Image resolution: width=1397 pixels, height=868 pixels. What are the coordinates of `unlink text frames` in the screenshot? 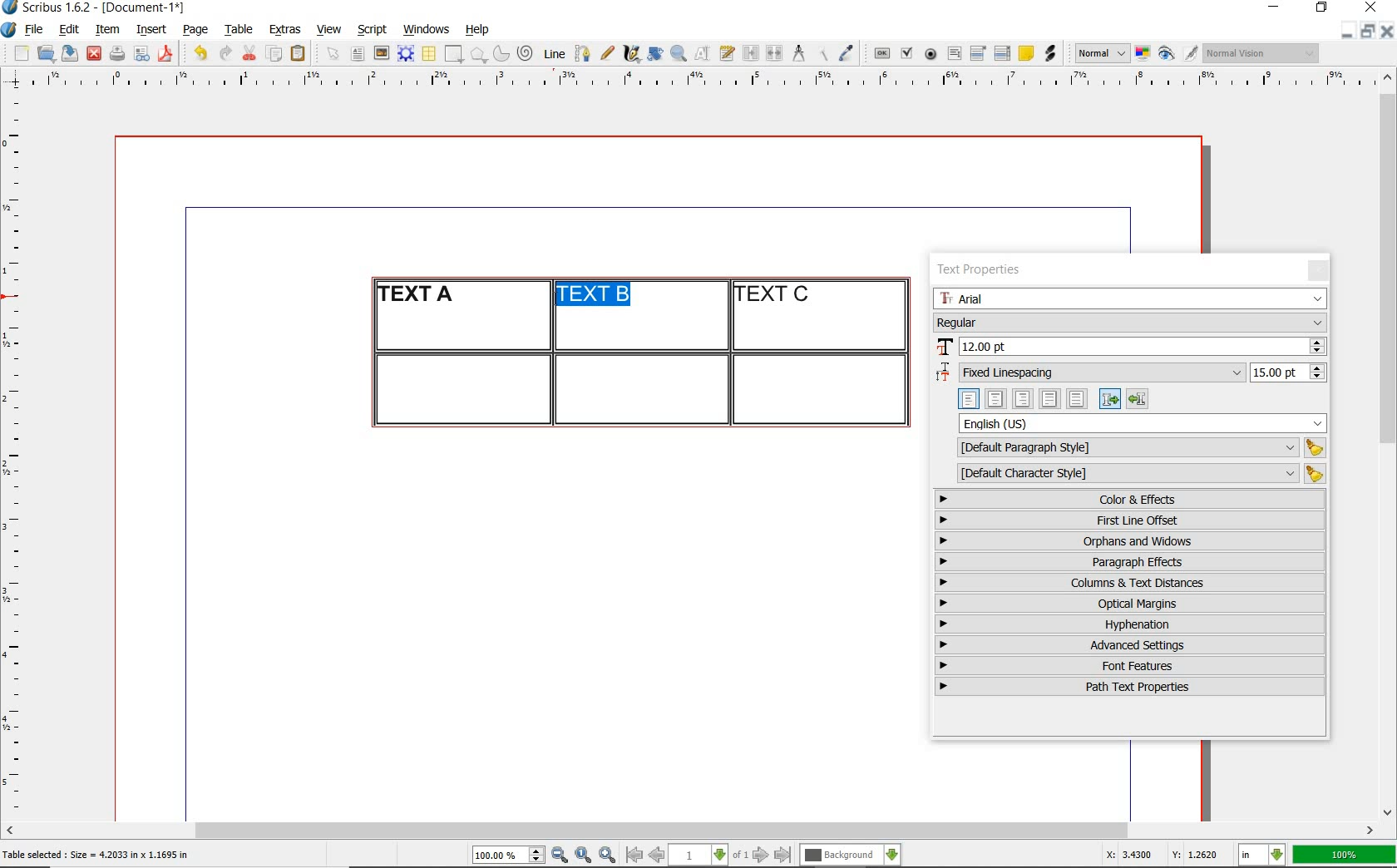 It's located at (774, 54).